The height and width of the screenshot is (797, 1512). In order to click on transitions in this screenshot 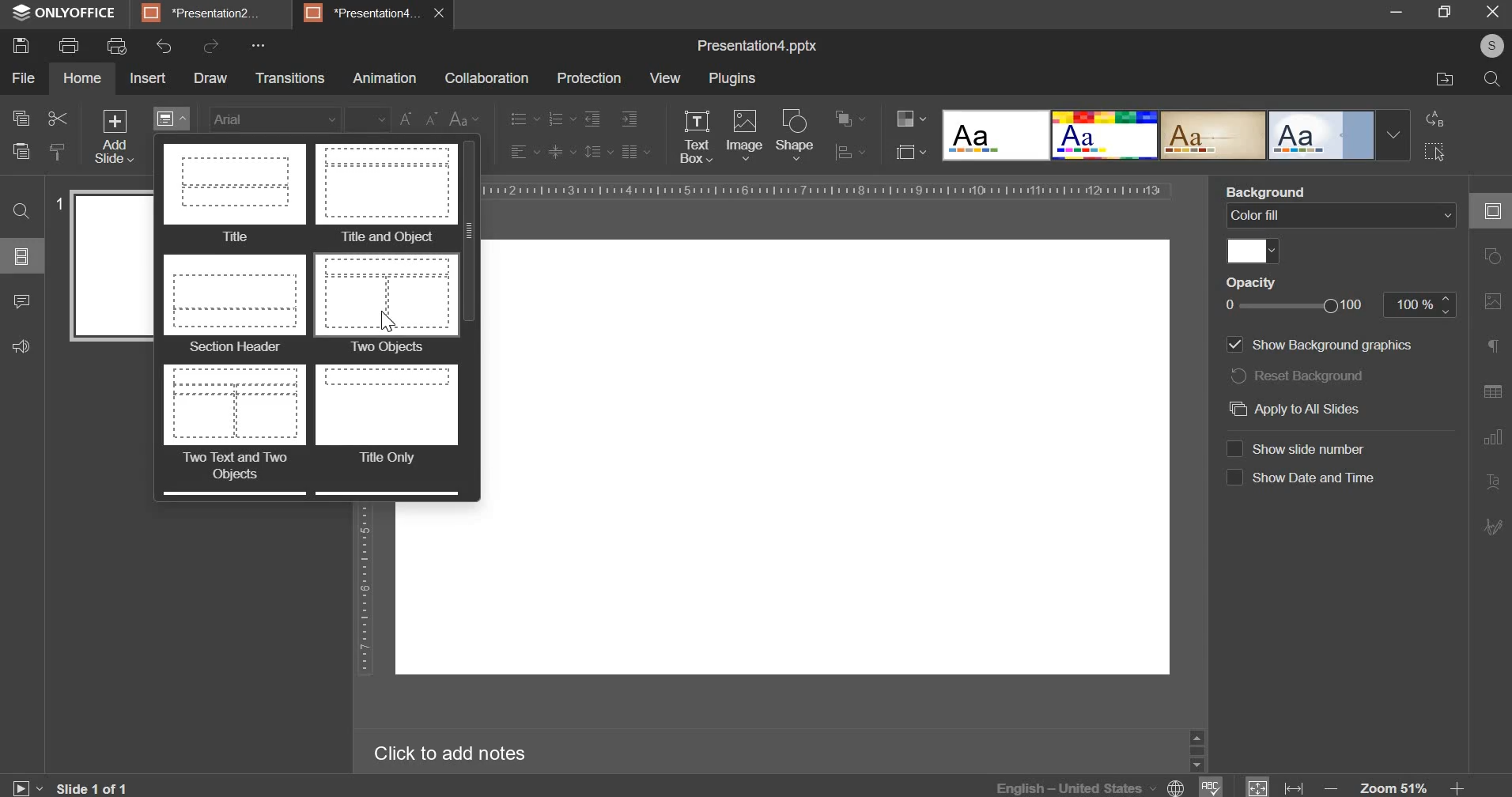, I will do `click(291, 78)`.